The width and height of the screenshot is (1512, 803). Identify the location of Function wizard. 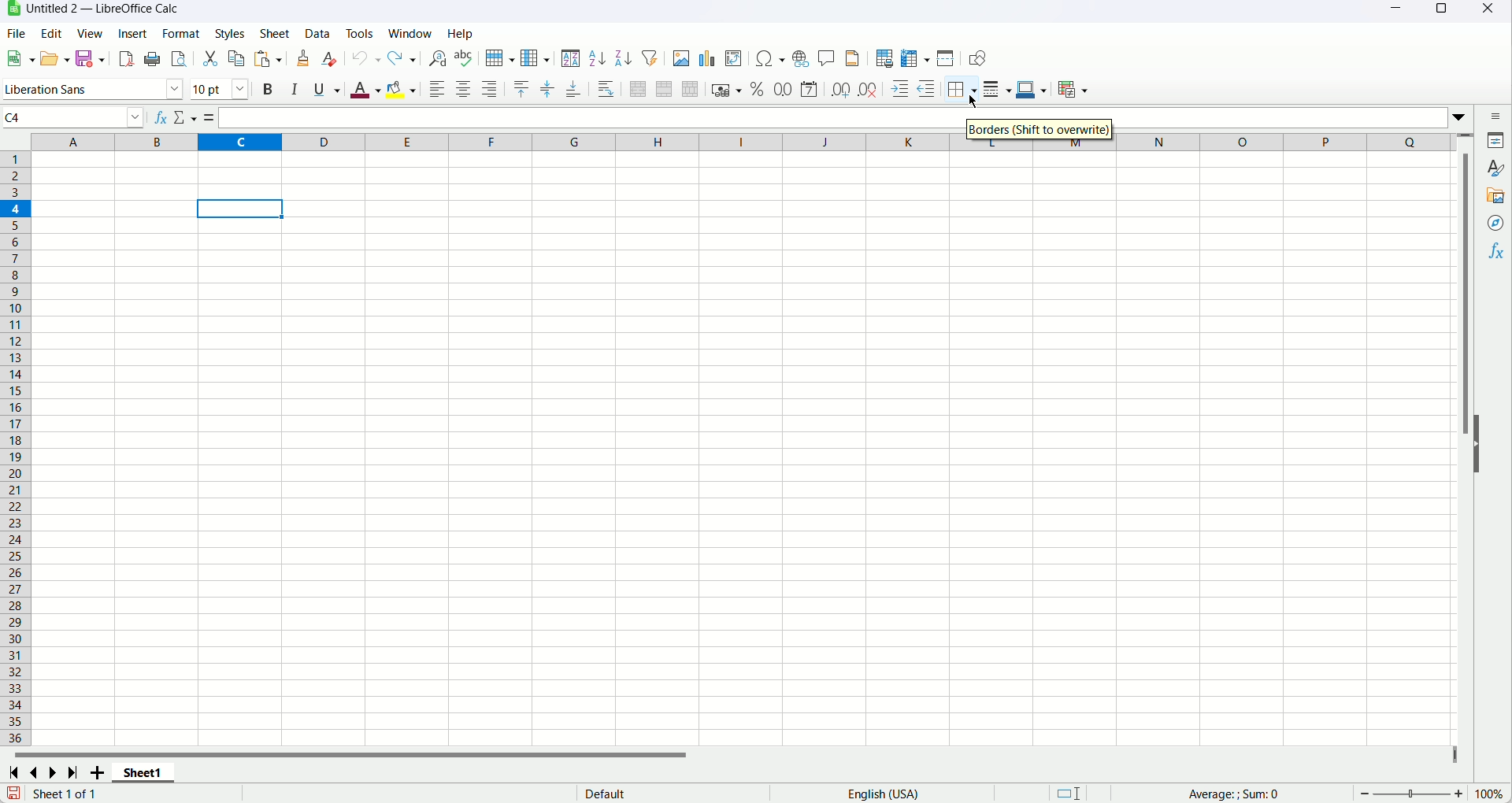
(161, 120).